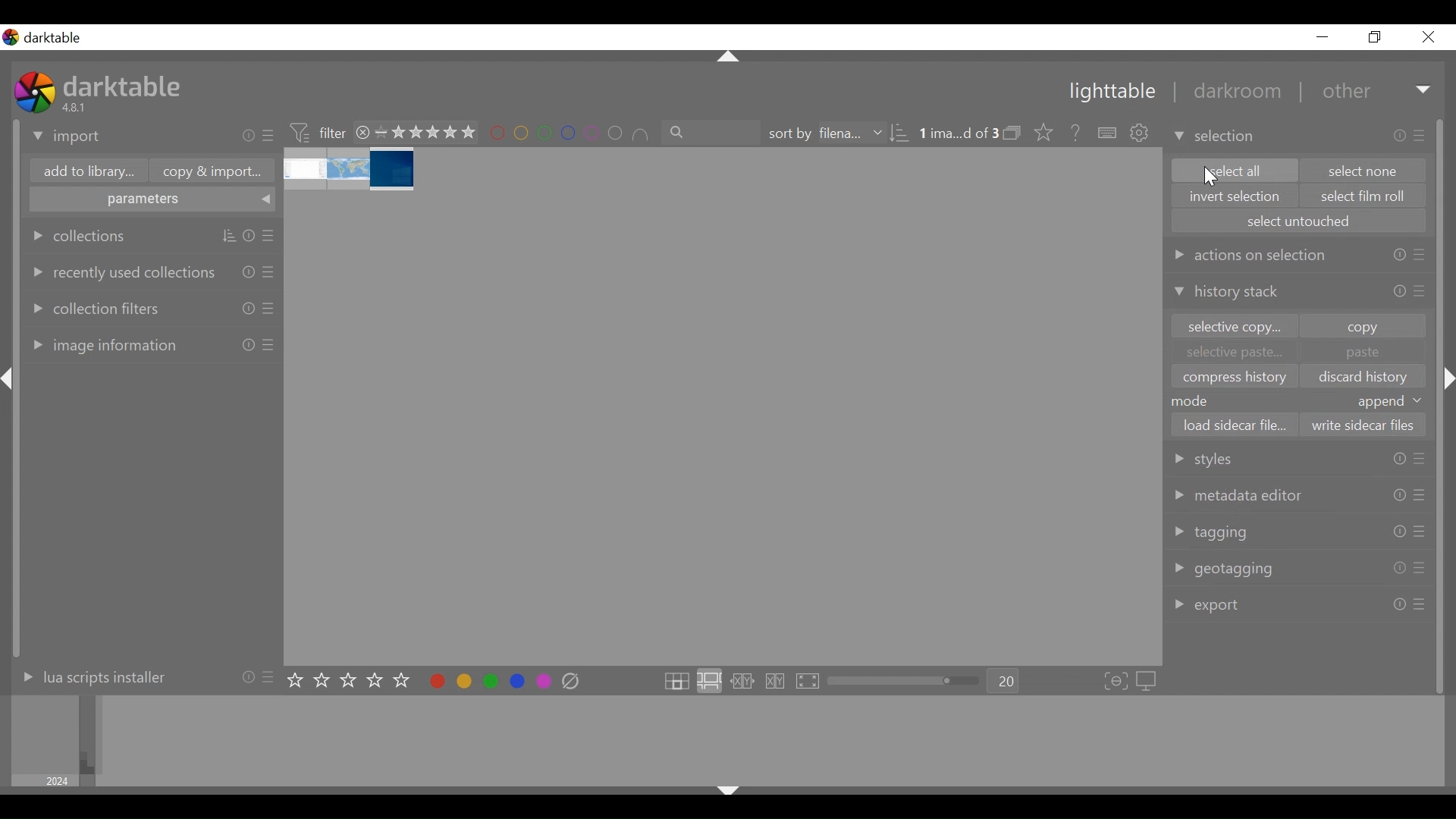 The height and width of the screenshot is (819, 1456). I want to click on sorting, so click(899, 133).